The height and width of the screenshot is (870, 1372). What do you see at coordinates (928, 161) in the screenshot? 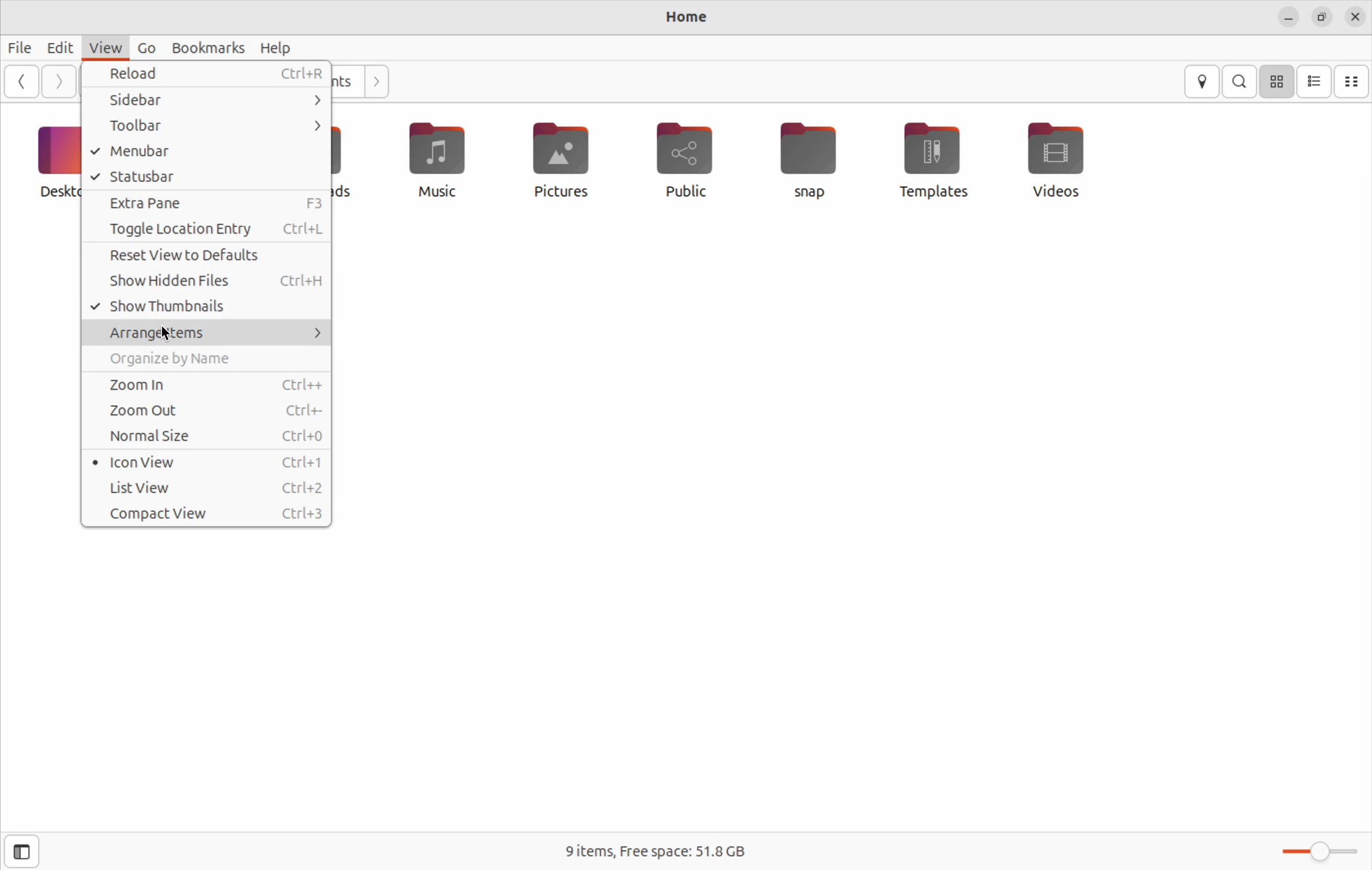
I see `templates` at bounding box center [928, 161].